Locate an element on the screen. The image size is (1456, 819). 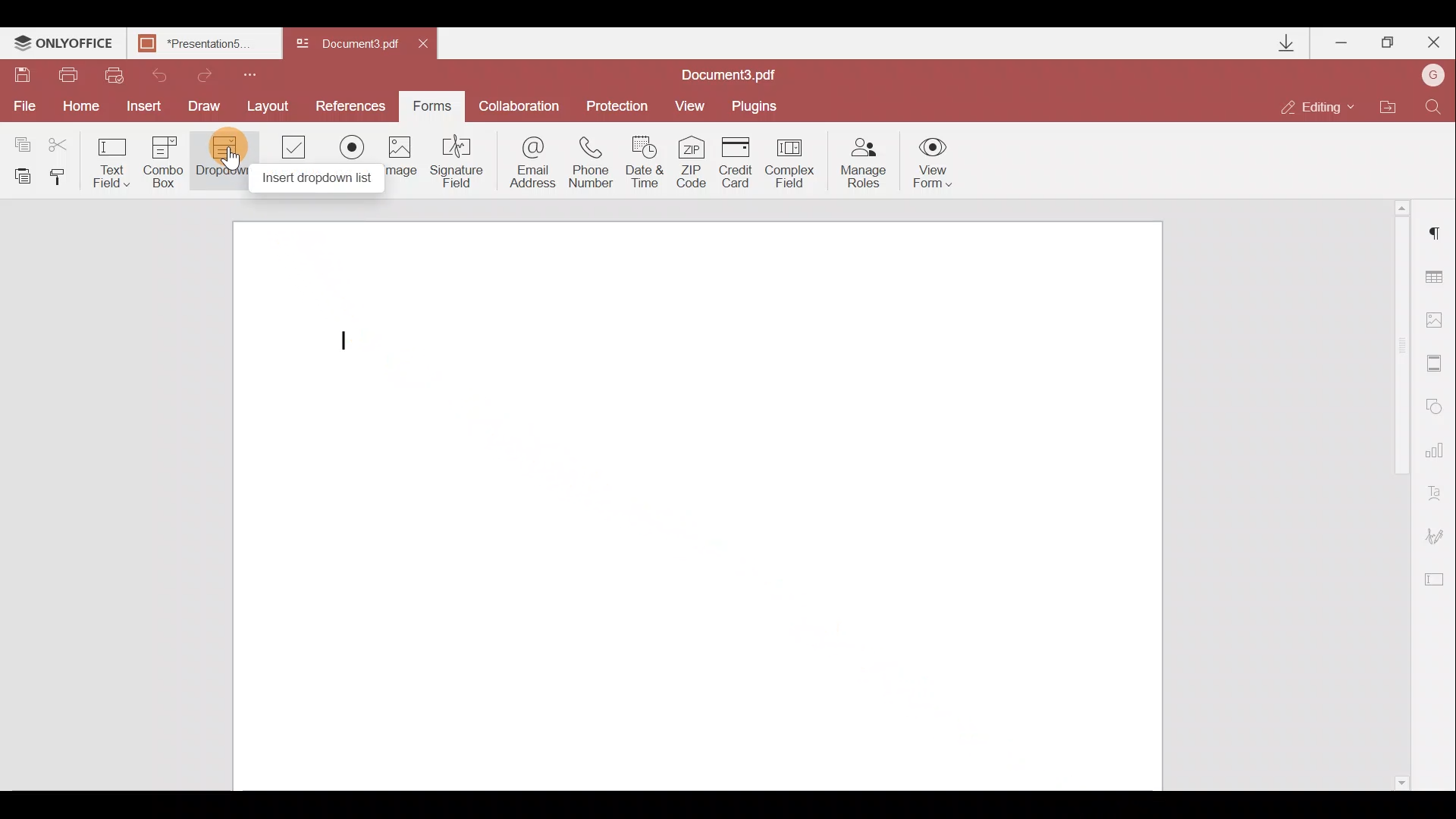
Header & Footer settings is located at coordinates (1438, 366).